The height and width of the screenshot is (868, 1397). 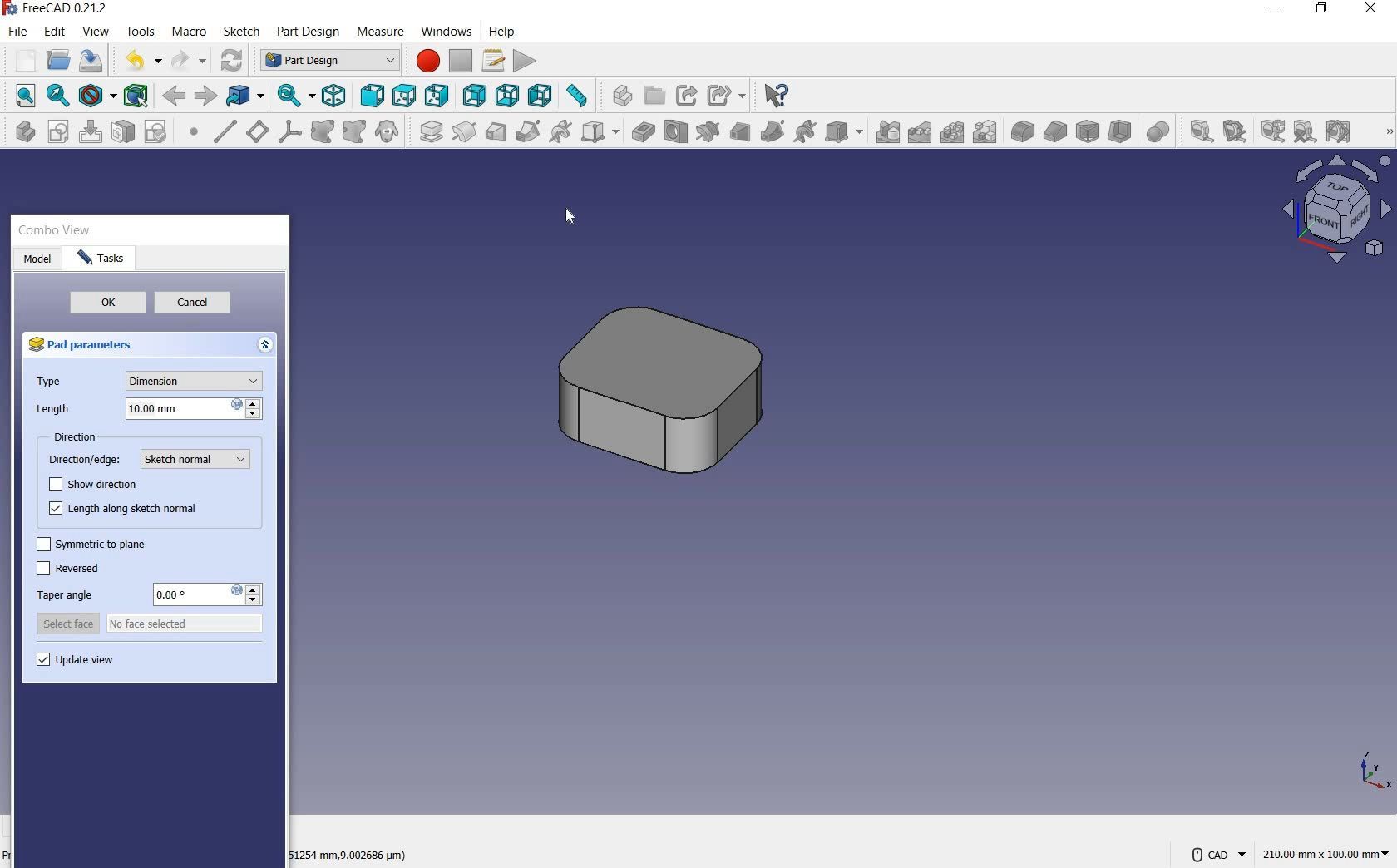 I want to click on redo, so click(x=190, y=60).